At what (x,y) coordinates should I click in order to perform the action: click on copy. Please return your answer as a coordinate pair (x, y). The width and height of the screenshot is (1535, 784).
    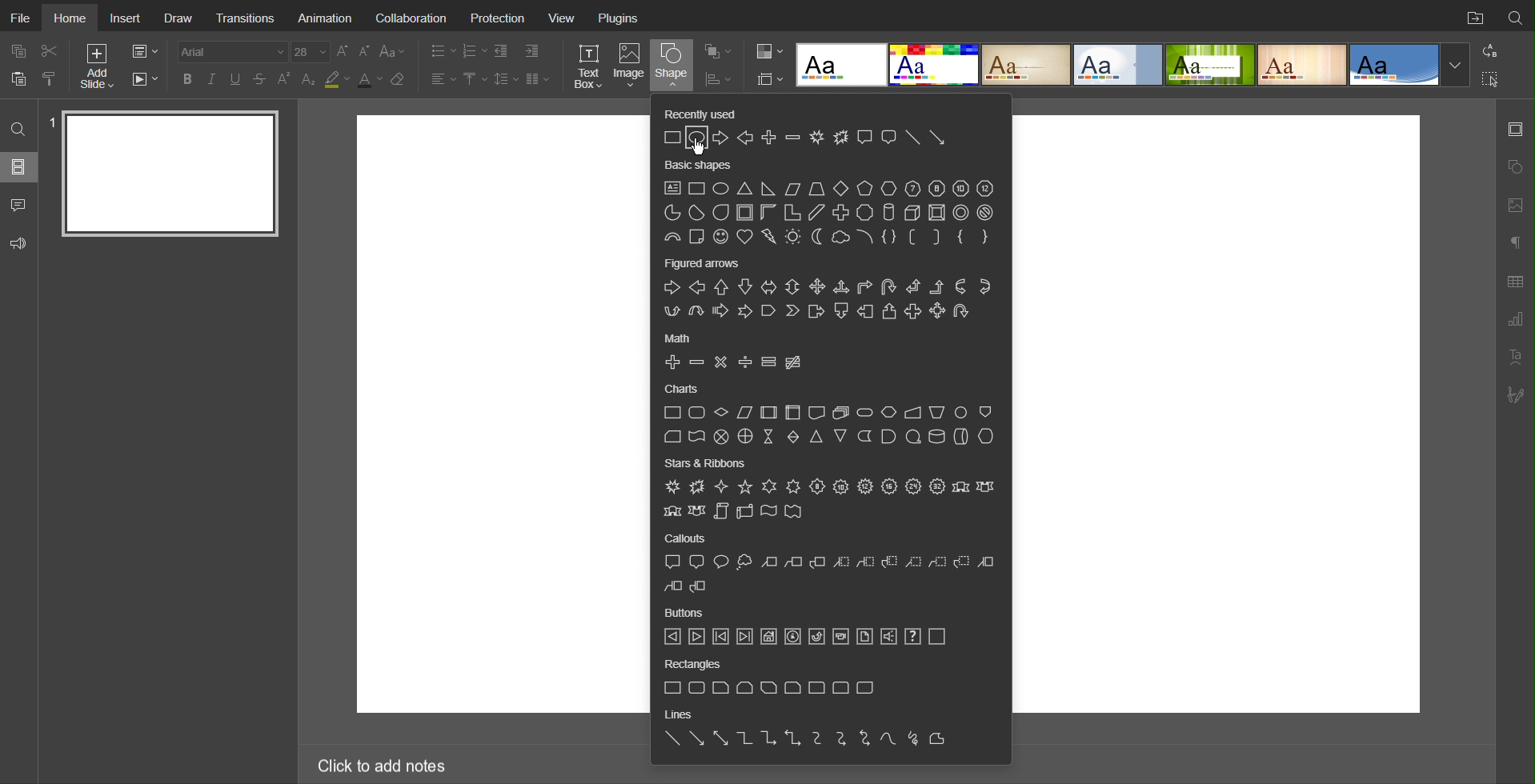
    Looking at the image, I should click on (22, 53).